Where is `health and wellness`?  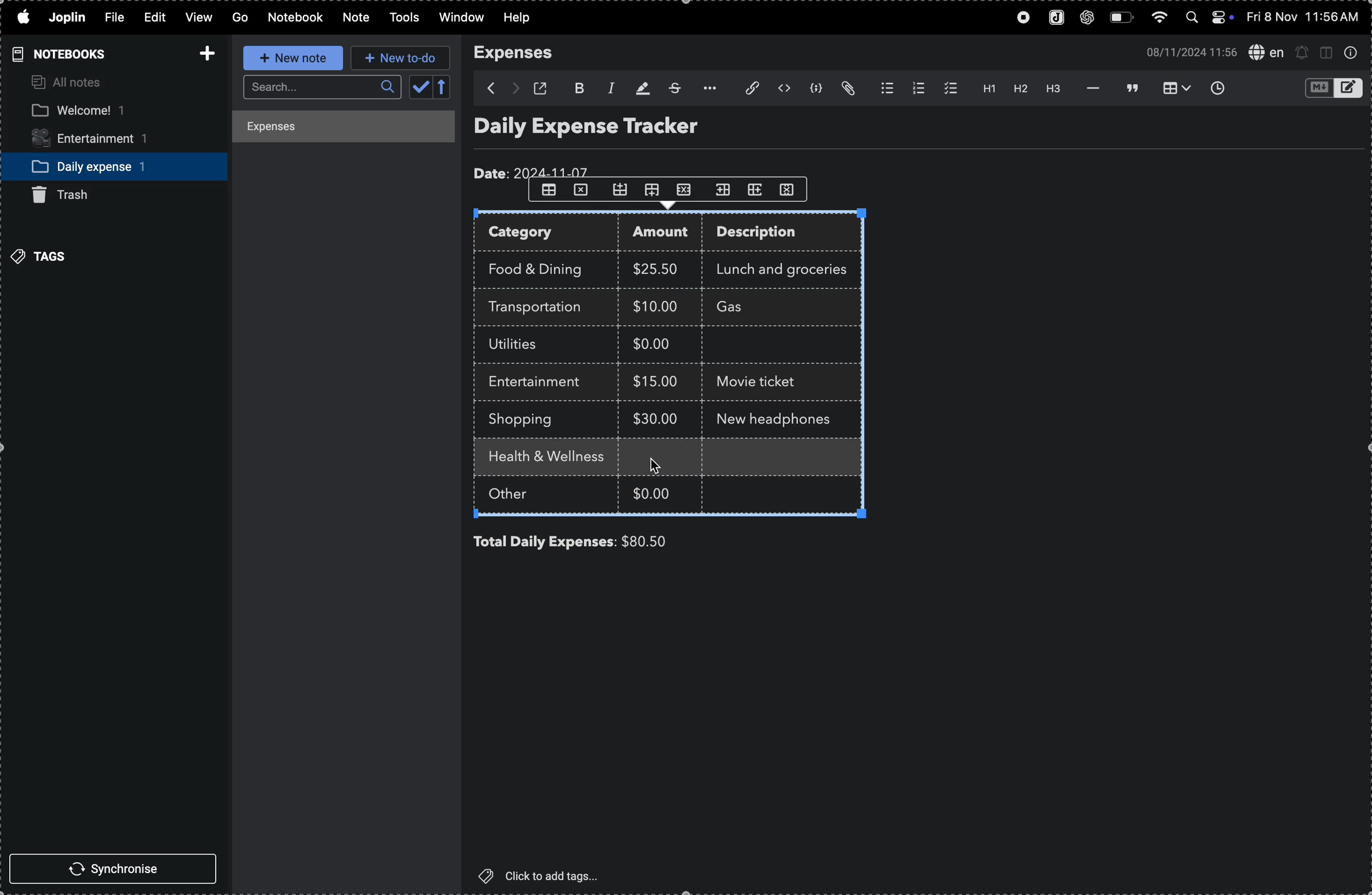 health and wellness is located at coordinates (552, 458).